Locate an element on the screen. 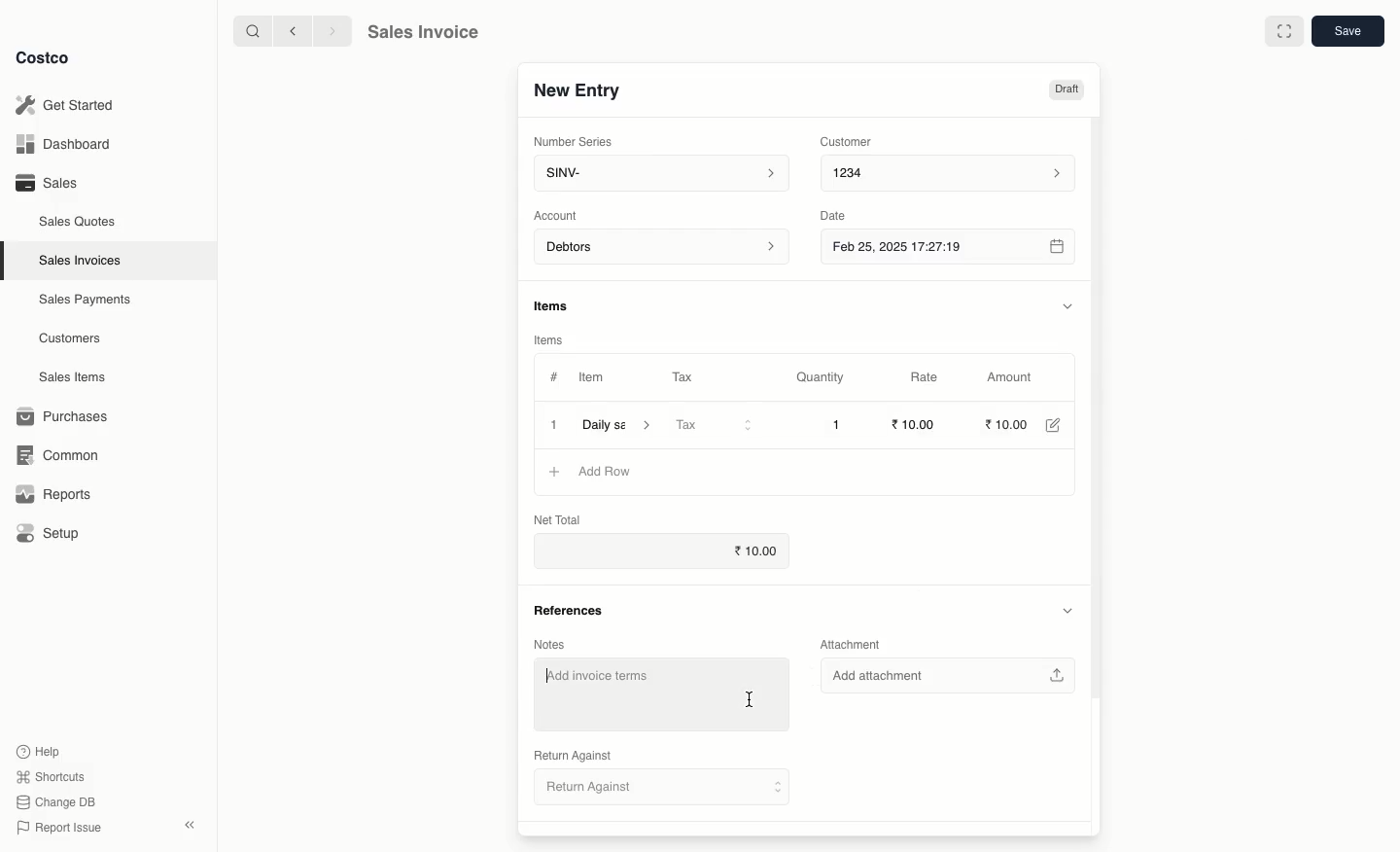 This screenshot has height=852, width=1400. Unpaid 10.00 is located at coordinates (1040, 89).